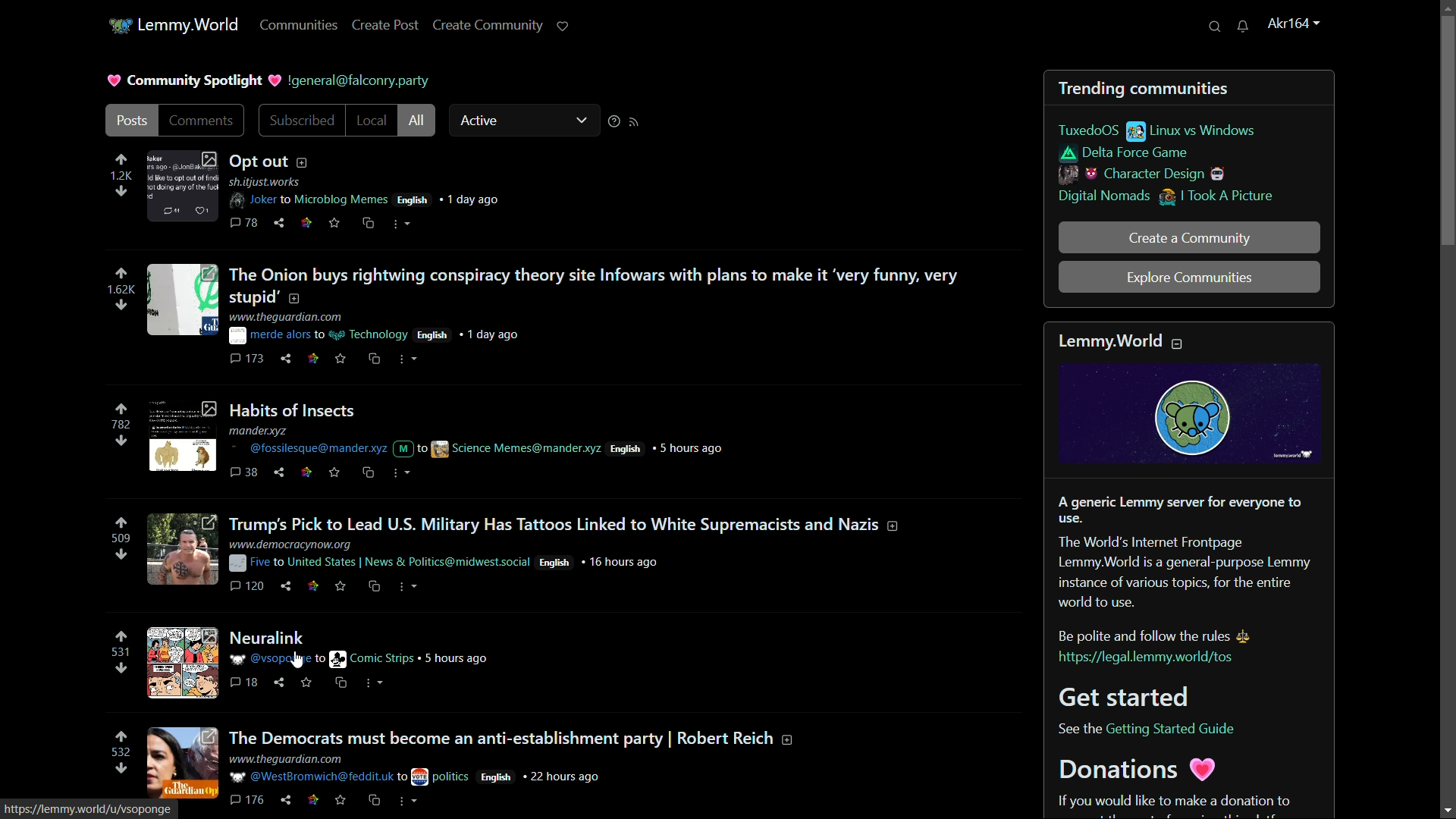 This screenshot has width=1456, height=819. Describe the element at coordinates (1102, 196) in the screenshot. I see `digital nomads` at that location.